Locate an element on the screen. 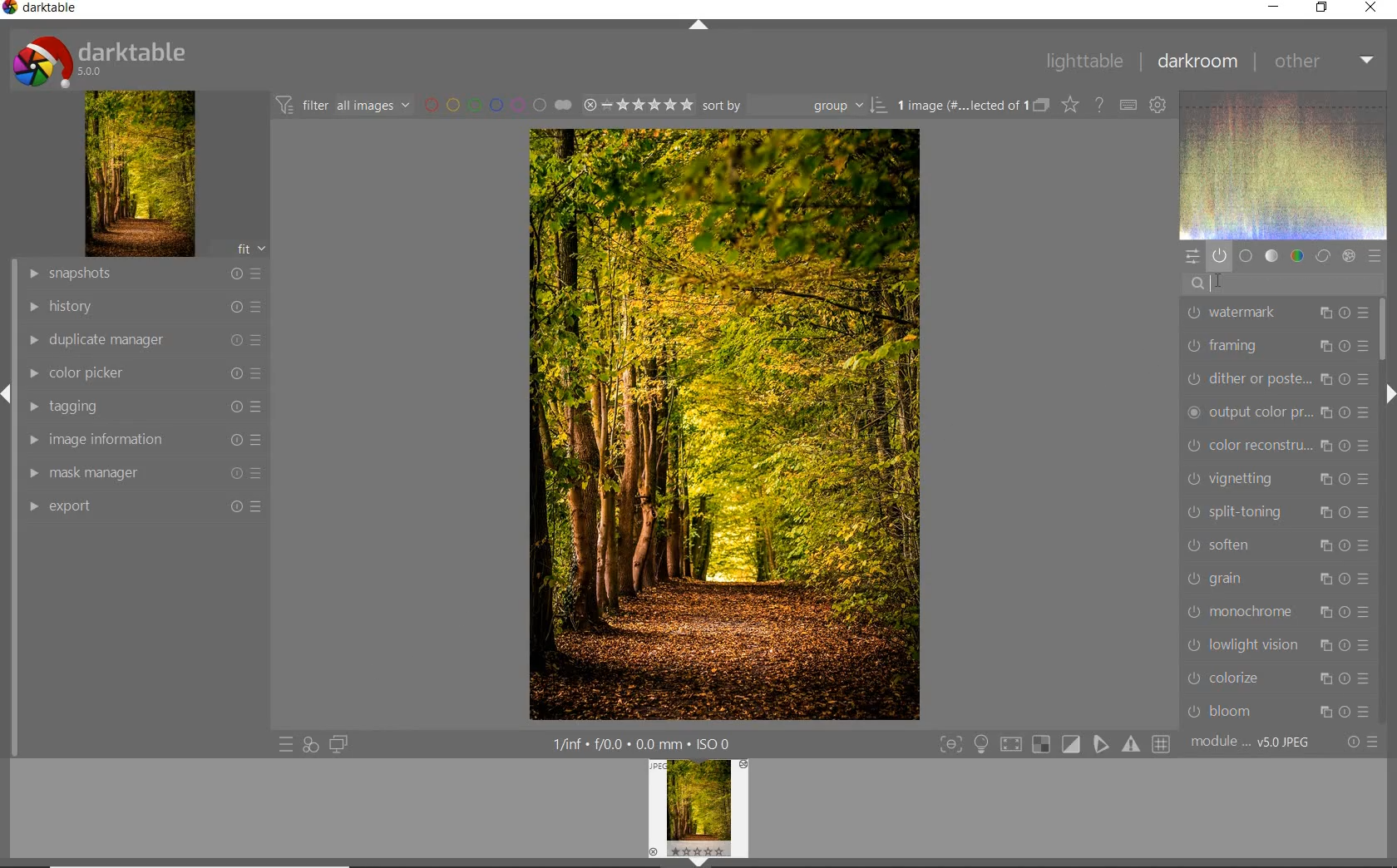 This screenshot has width=1397, height=868. selected image is located at coordinates (723, 425).